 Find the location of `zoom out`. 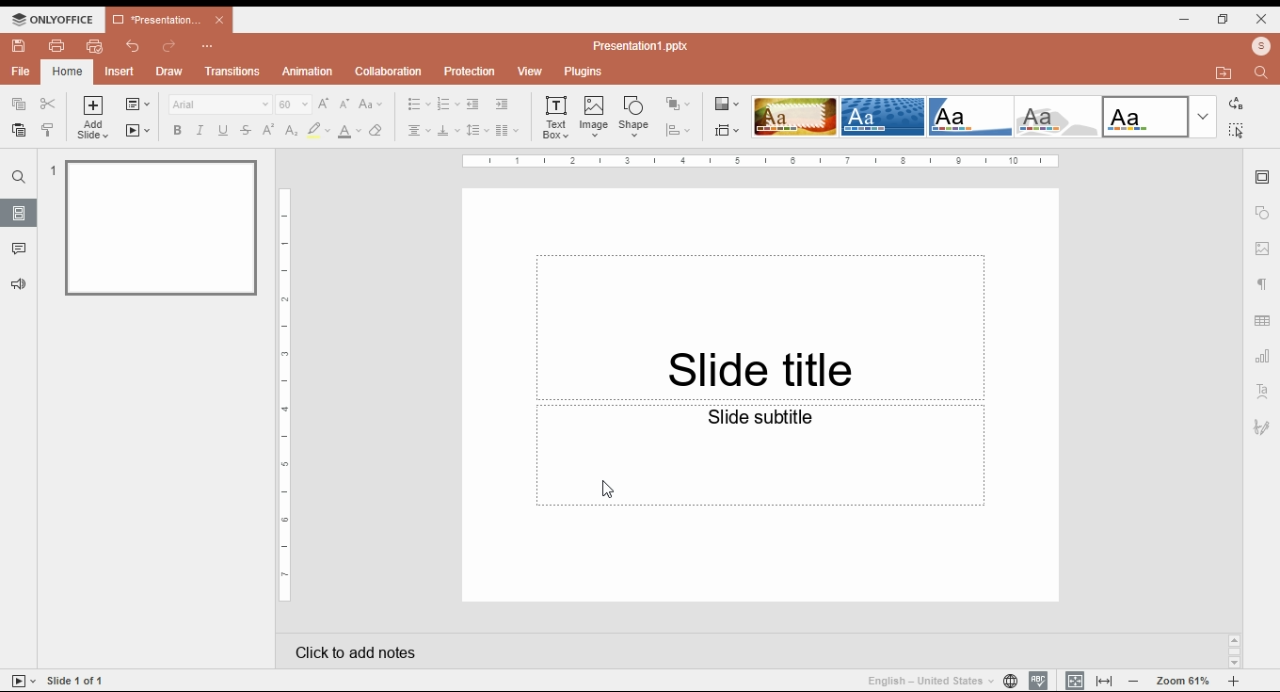

zoom out is located at coordinates (1134, 680).